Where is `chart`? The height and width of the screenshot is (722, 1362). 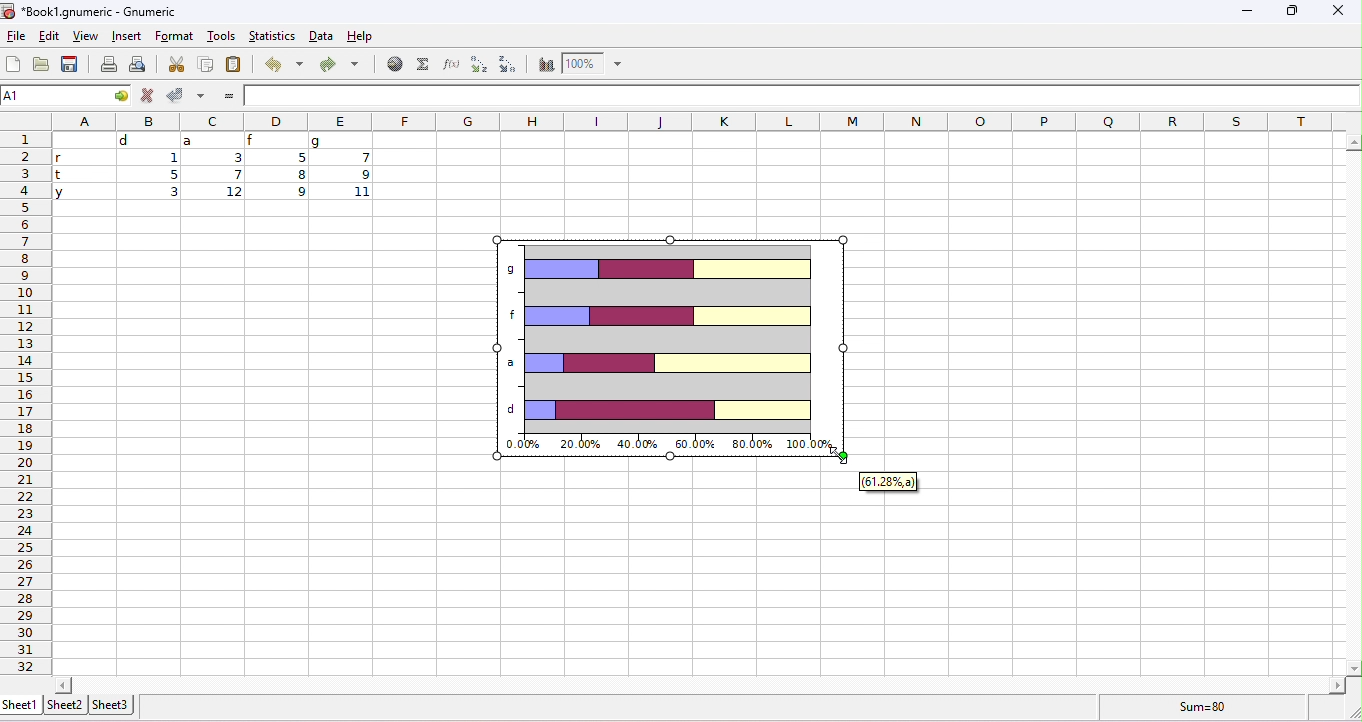
chart is located at coordinates (543, 64).